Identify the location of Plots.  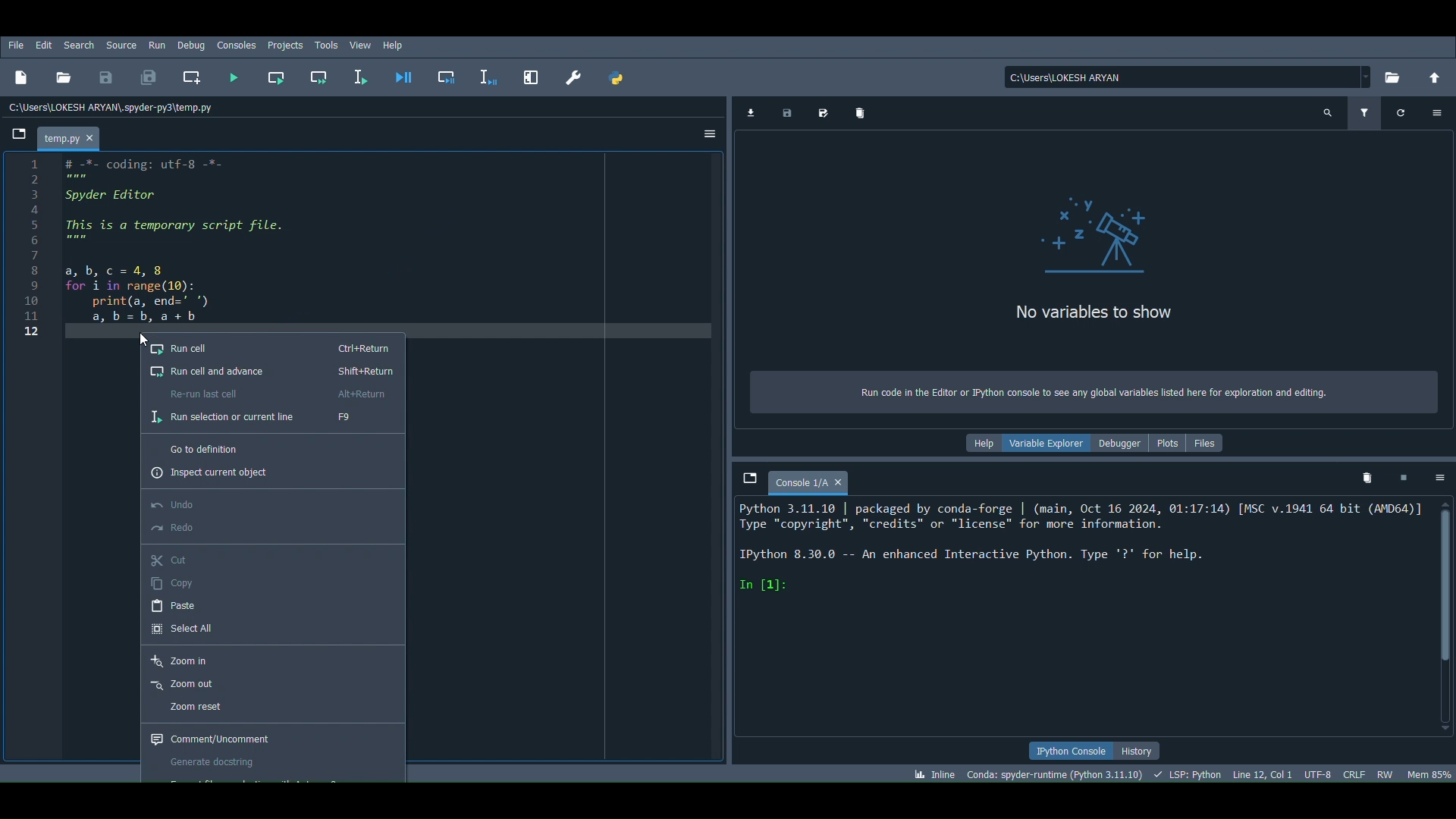
(1169, 442).